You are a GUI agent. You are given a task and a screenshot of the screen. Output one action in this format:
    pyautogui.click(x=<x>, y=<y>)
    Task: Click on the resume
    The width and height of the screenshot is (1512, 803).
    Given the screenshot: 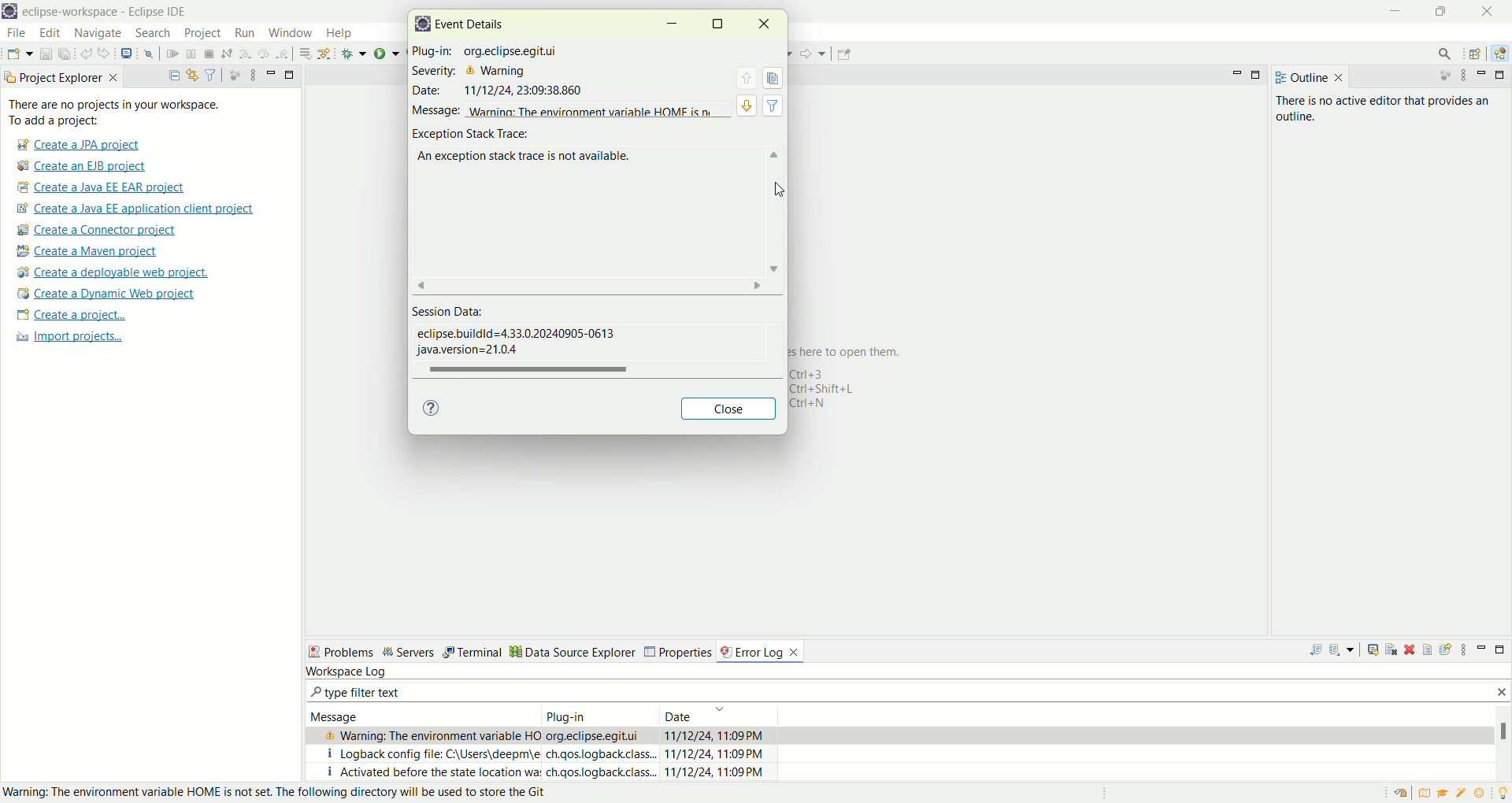 What is the action you would take?
    pyautogui.click(x=172, y=53)
    